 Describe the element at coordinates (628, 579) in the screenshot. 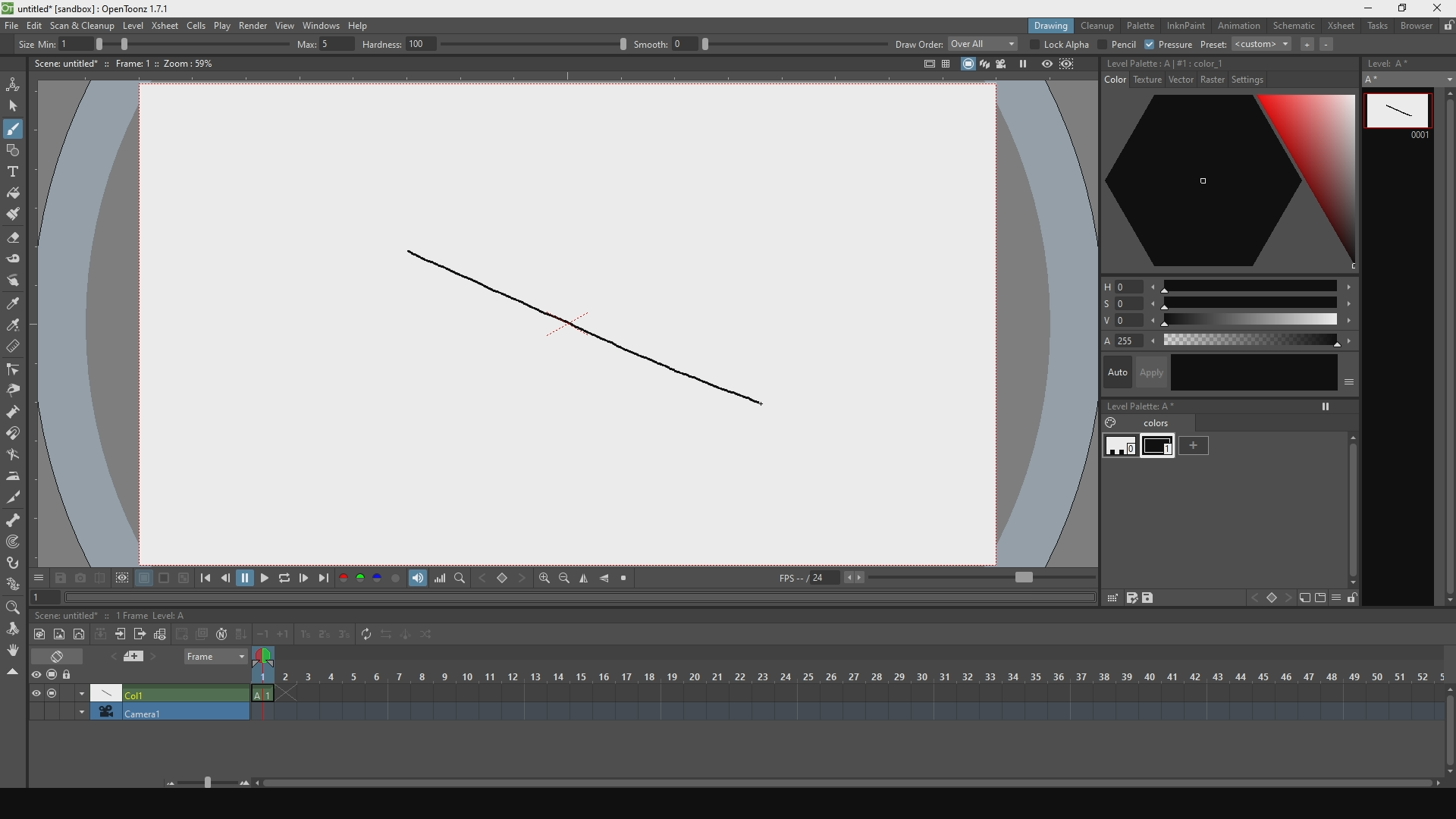

I see `stop` at that location.